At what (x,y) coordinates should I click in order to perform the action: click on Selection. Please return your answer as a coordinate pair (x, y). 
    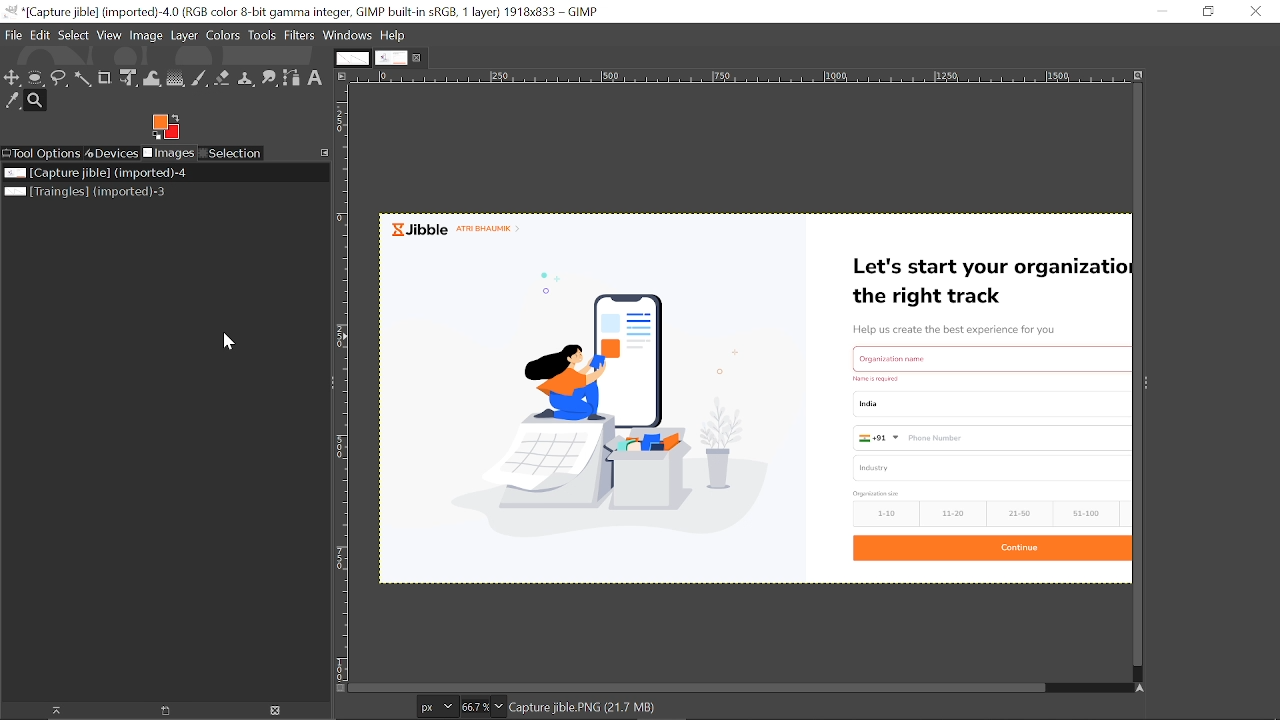
    Looking at the image, I should click on (232, 154).